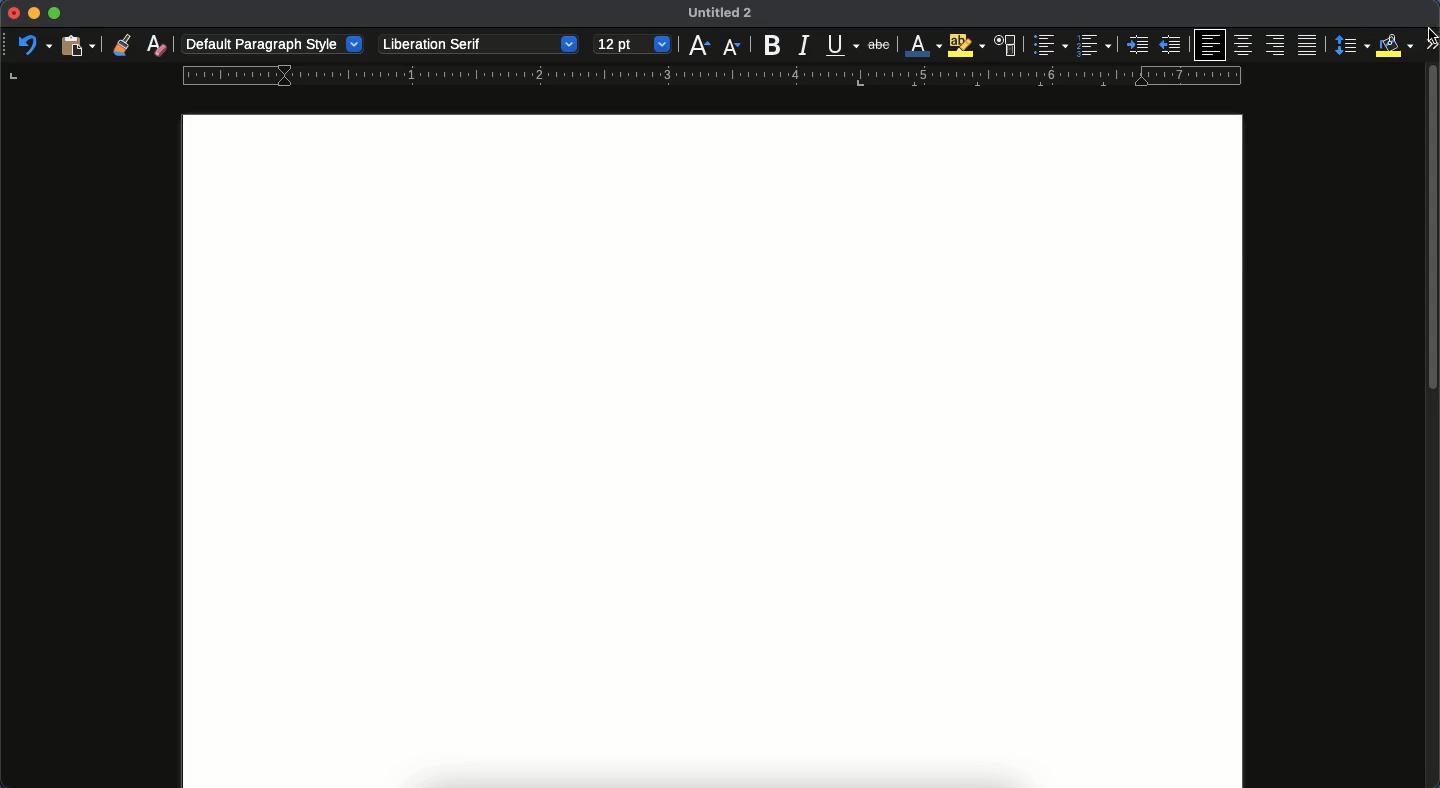  Describe the element at coordinates (1246, 45) in the screenshot. I see `center align` at that location.